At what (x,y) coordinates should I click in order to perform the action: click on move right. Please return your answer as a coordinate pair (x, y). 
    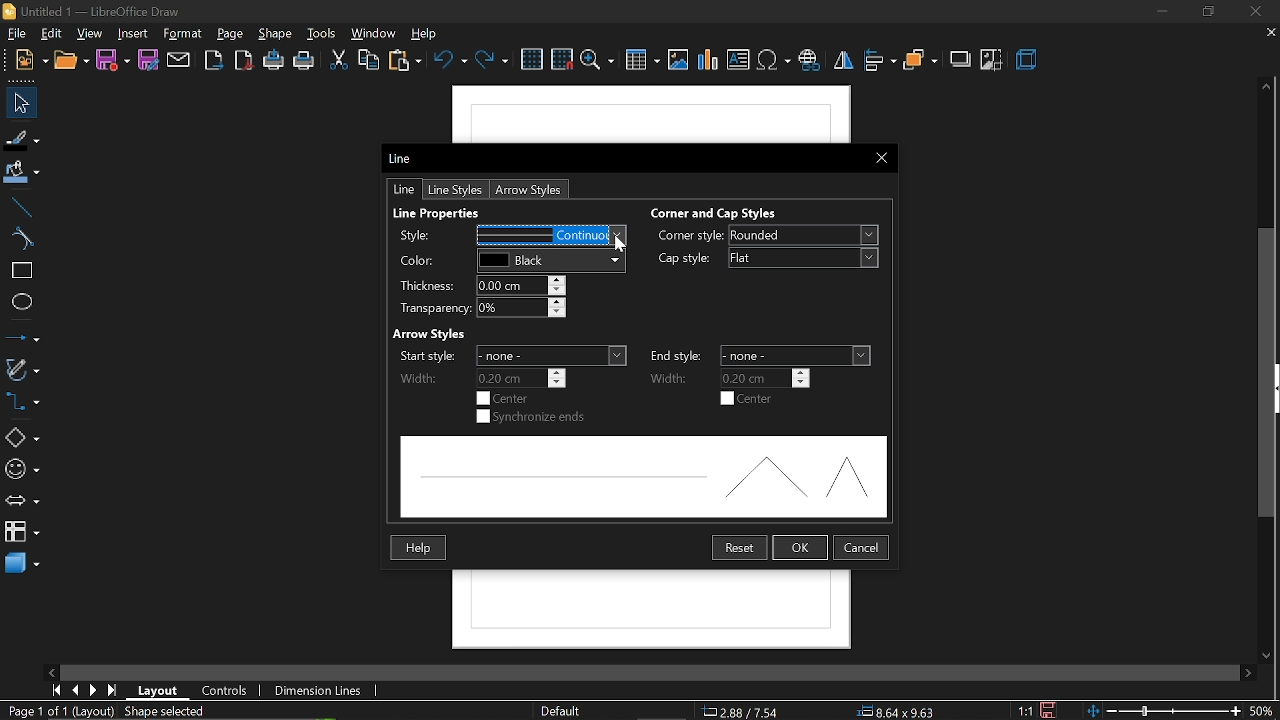
    Looking at the image, I should click on (1250, 671).